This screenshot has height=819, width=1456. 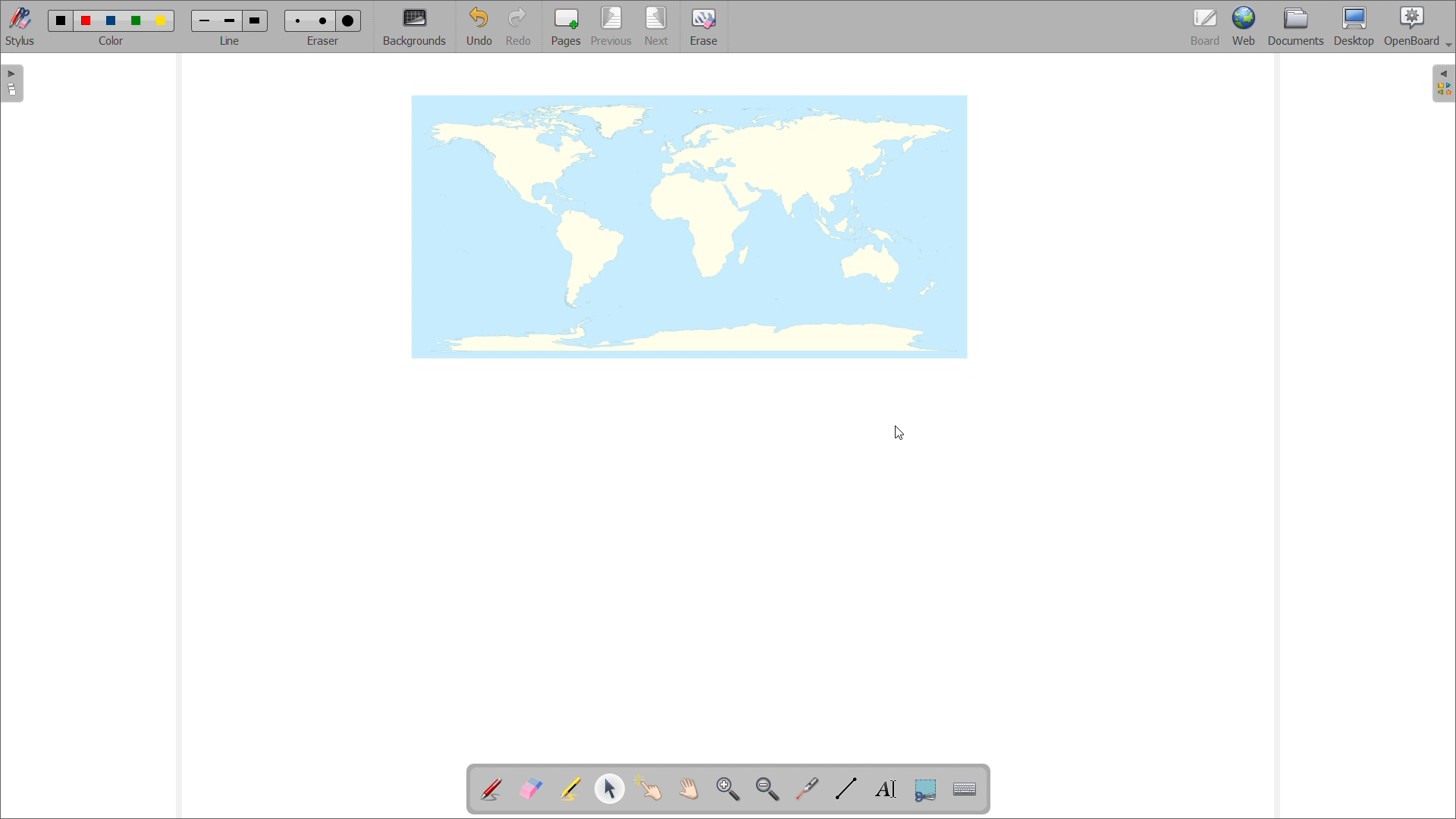 What do you see at coordinates (518, 26) in the screenshot?
I see `redo` at bounding box center [518, 26].